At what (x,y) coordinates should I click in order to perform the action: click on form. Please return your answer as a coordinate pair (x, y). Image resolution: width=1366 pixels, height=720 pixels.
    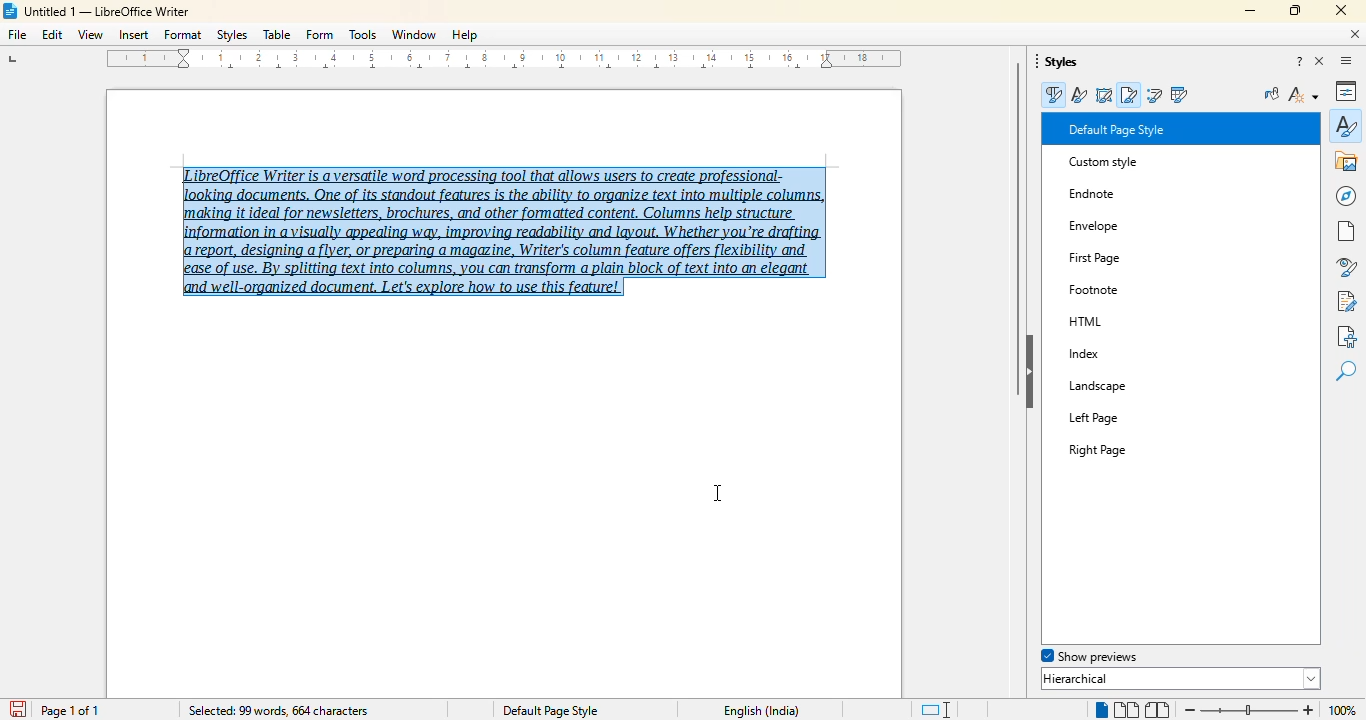
    Looking at the image, I should click on (320, 34).